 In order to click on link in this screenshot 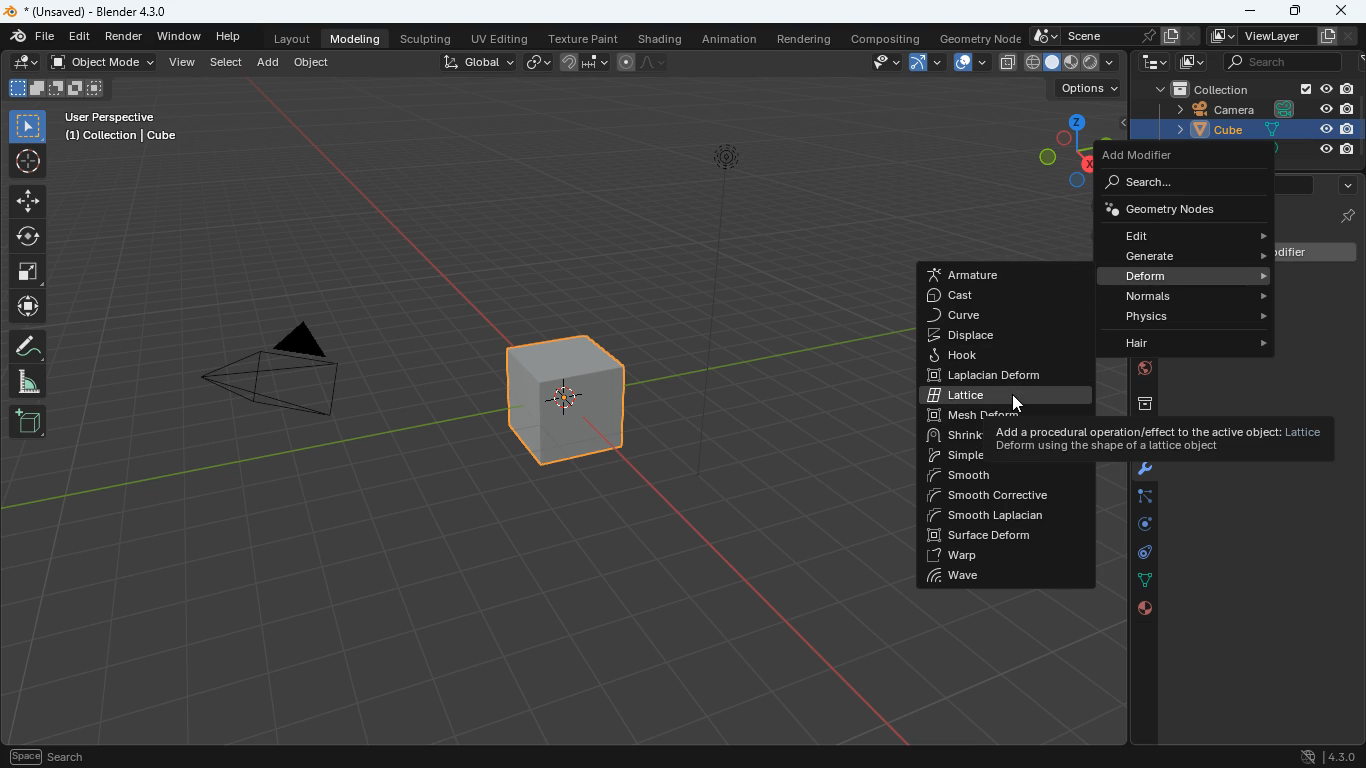, I will do `click(535, 61)`.